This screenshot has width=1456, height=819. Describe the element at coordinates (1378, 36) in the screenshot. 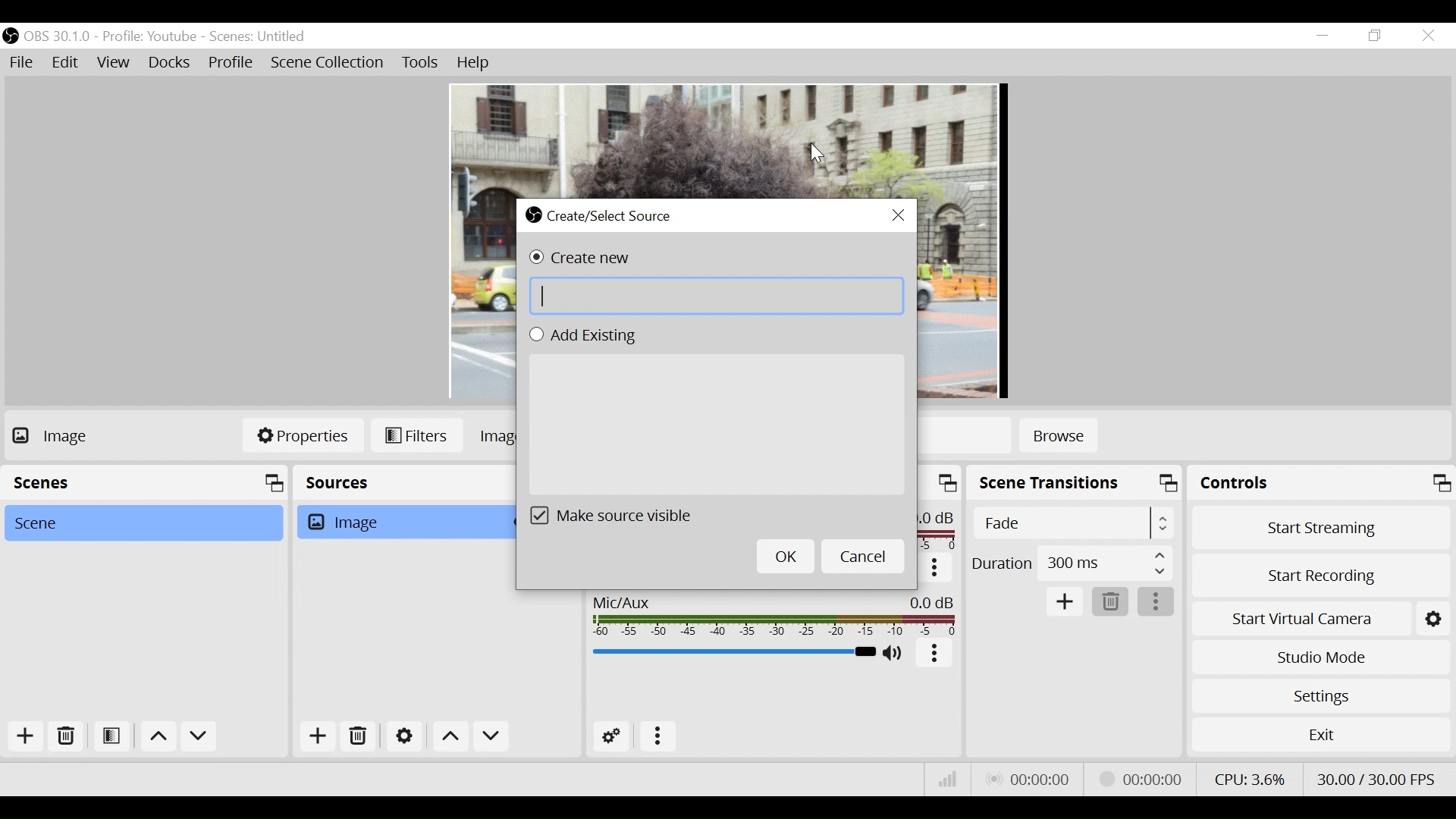

I see `Restore` at that location.